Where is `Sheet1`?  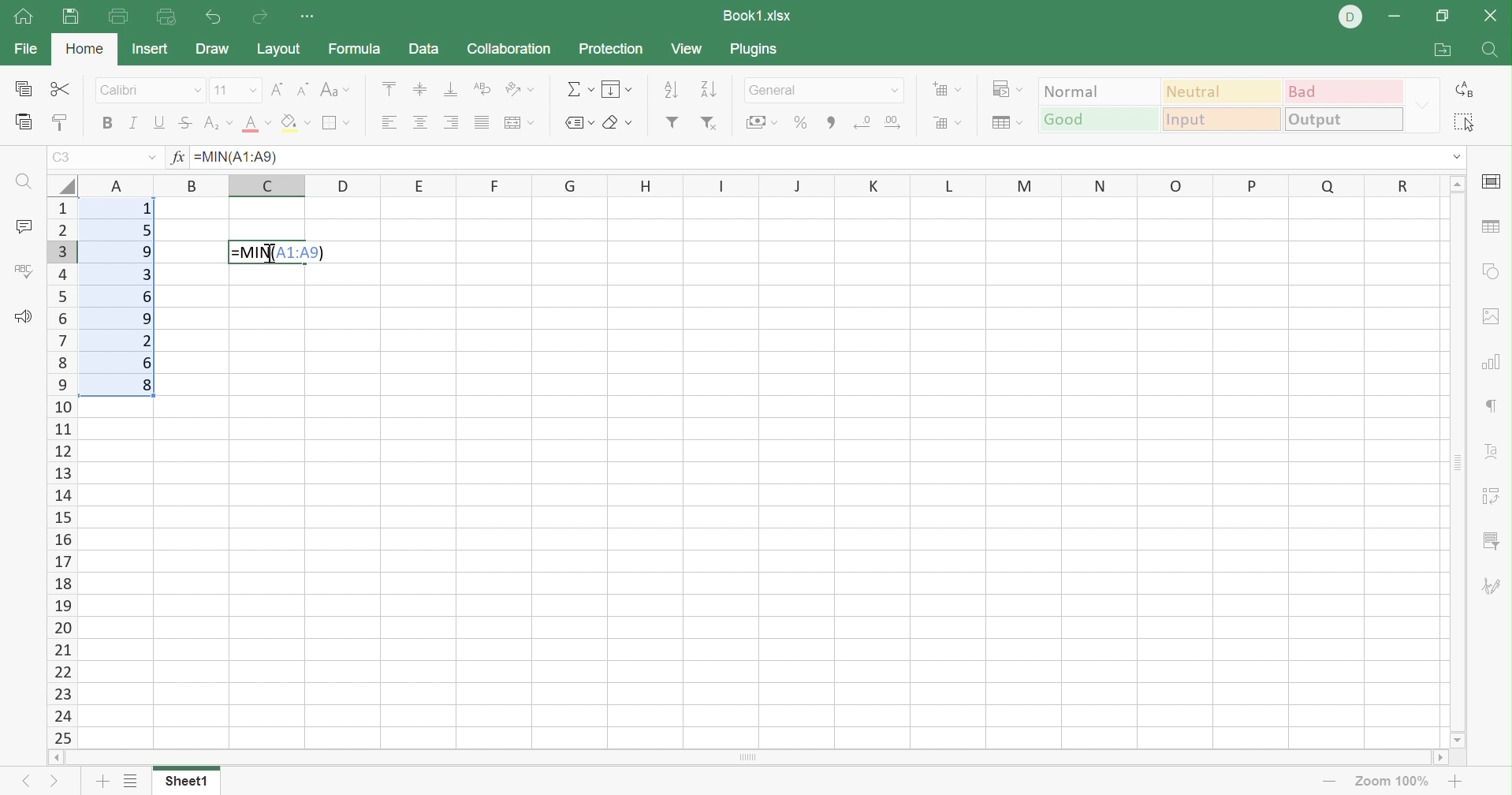 Sheet1 is located at coordinates (191, 780).